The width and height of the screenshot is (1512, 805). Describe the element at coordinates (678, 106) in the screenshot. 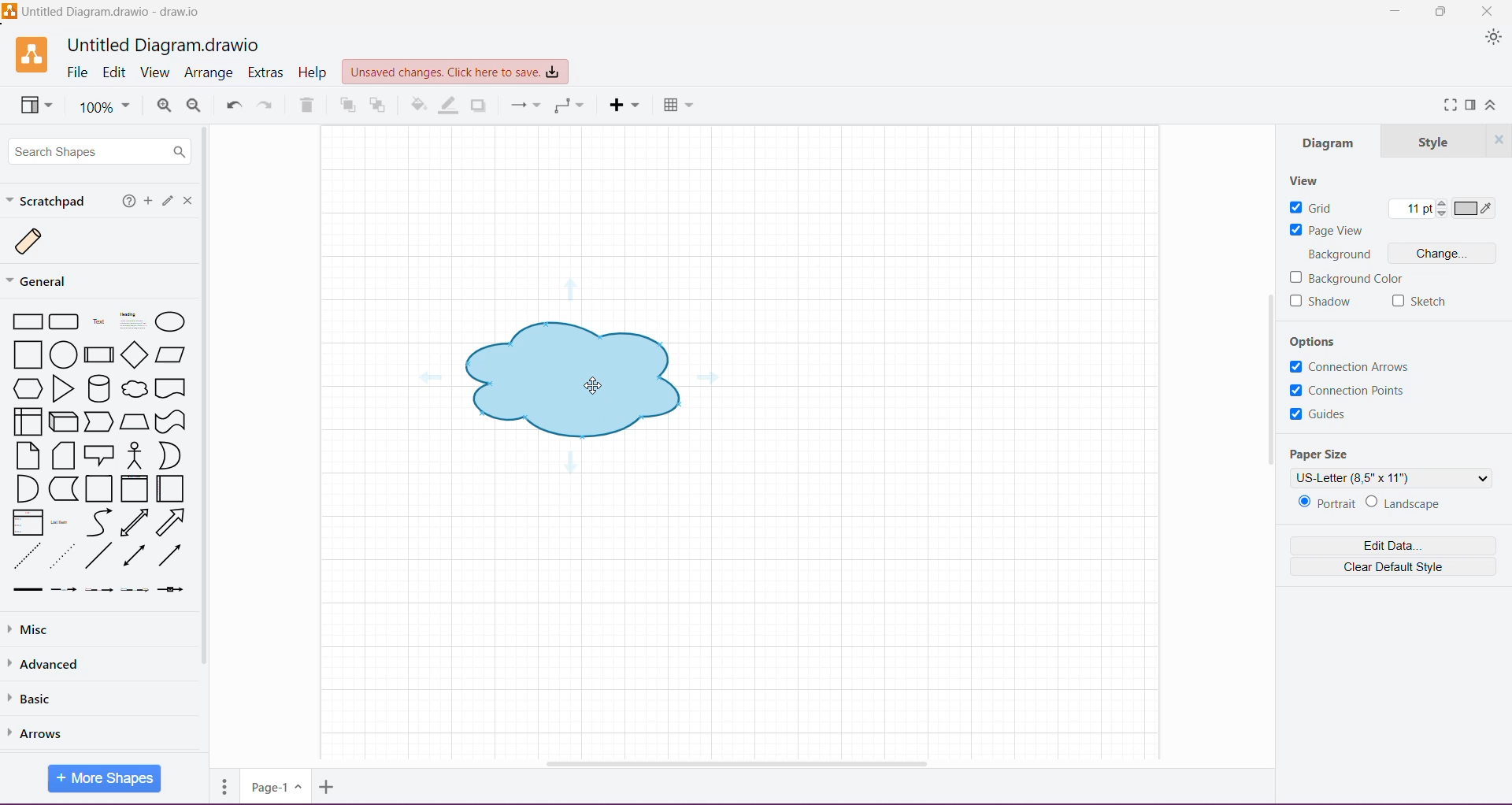

I see `Table` at that location.